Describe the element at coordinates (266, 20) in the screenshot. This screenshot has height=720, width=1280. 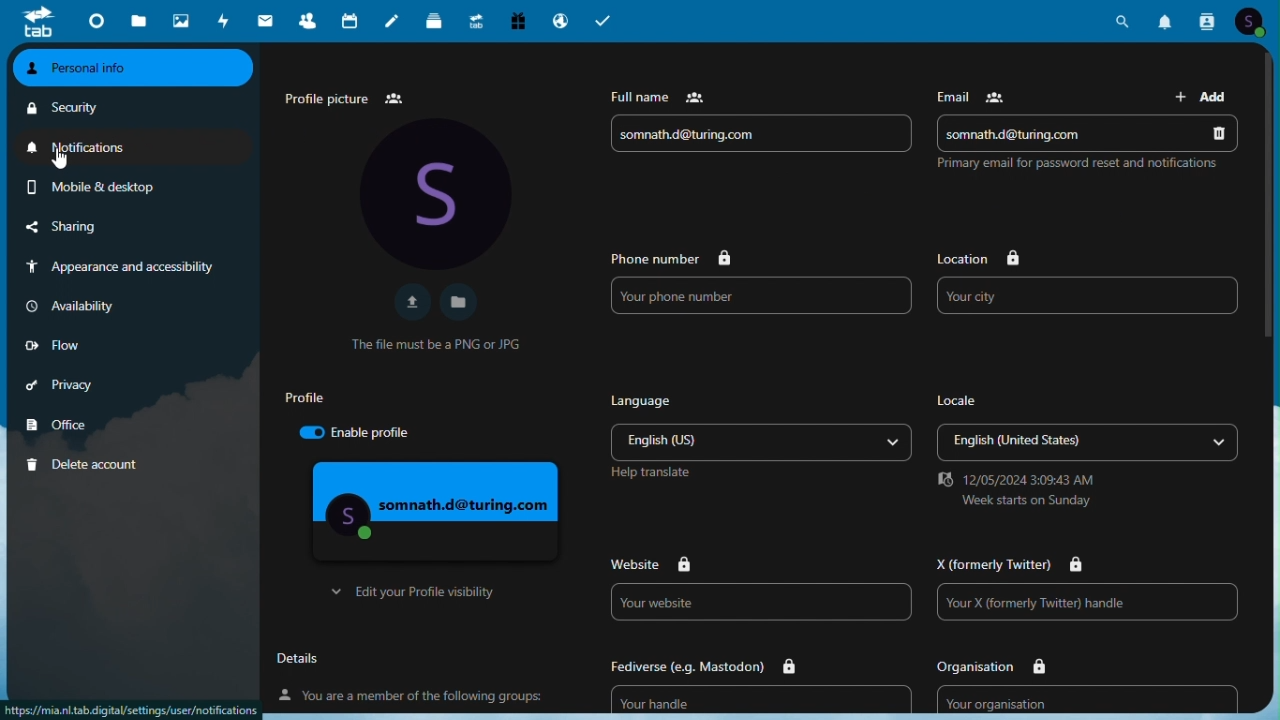
I see `mail` at that location.